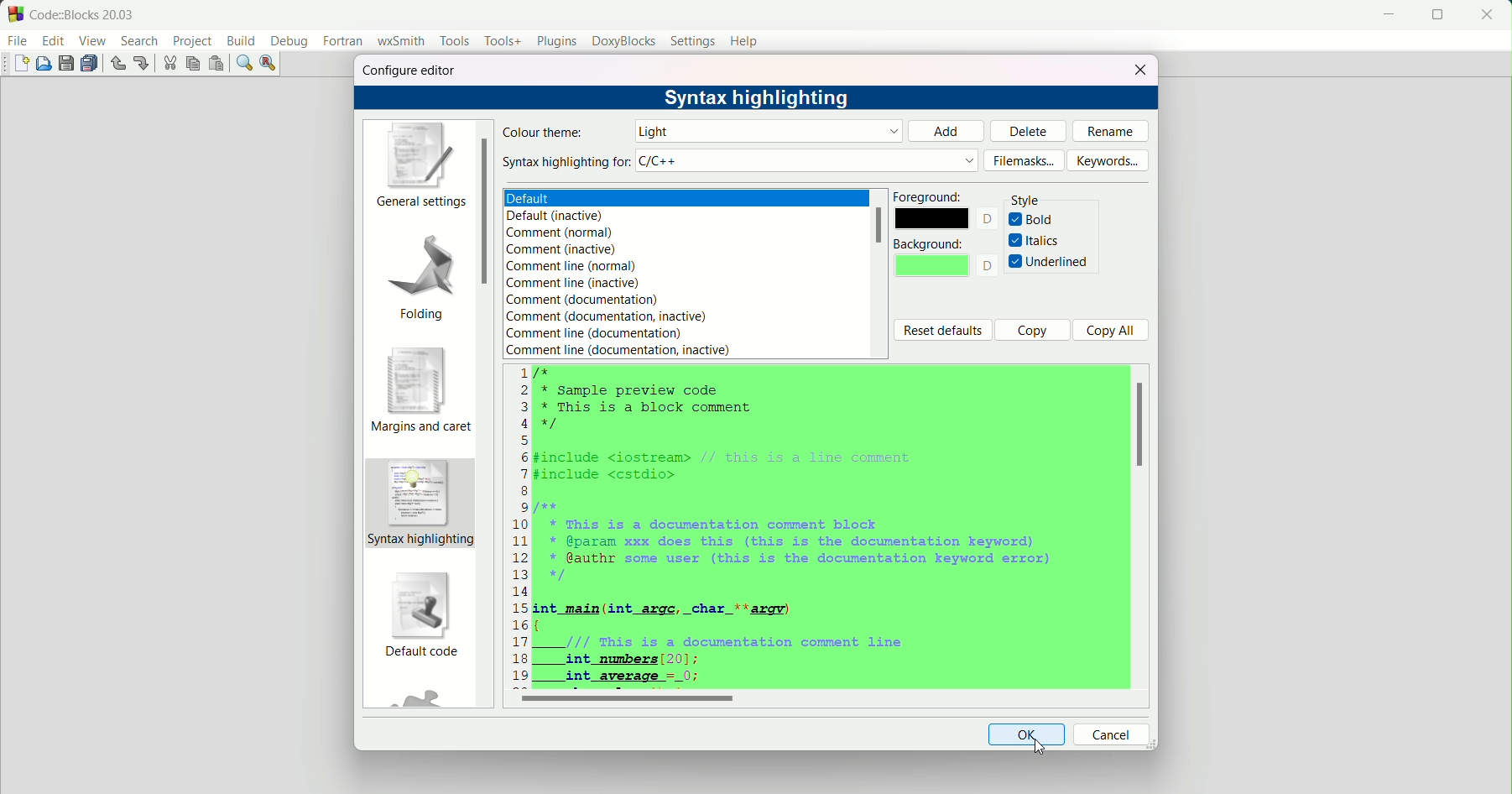 The image size is (1512, 794). I want to click on copy, so click(192, 63).